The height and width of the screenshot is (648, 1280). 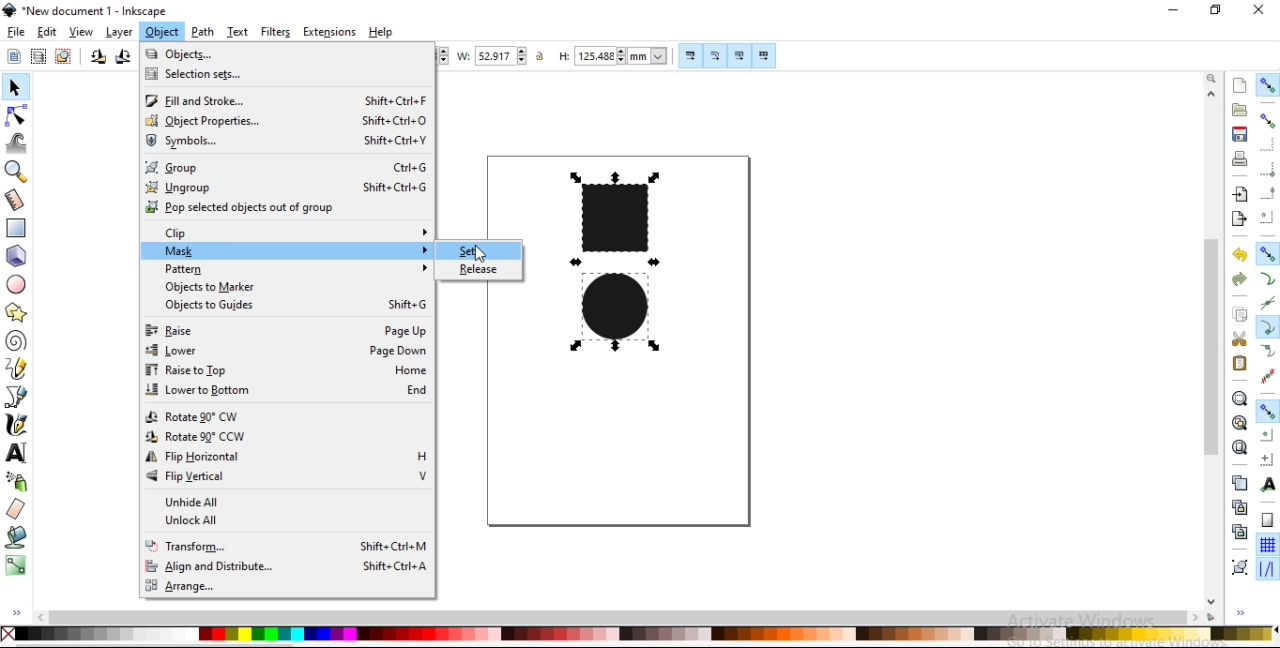 I want to click on create a new document, so click(x=1241, y=85).